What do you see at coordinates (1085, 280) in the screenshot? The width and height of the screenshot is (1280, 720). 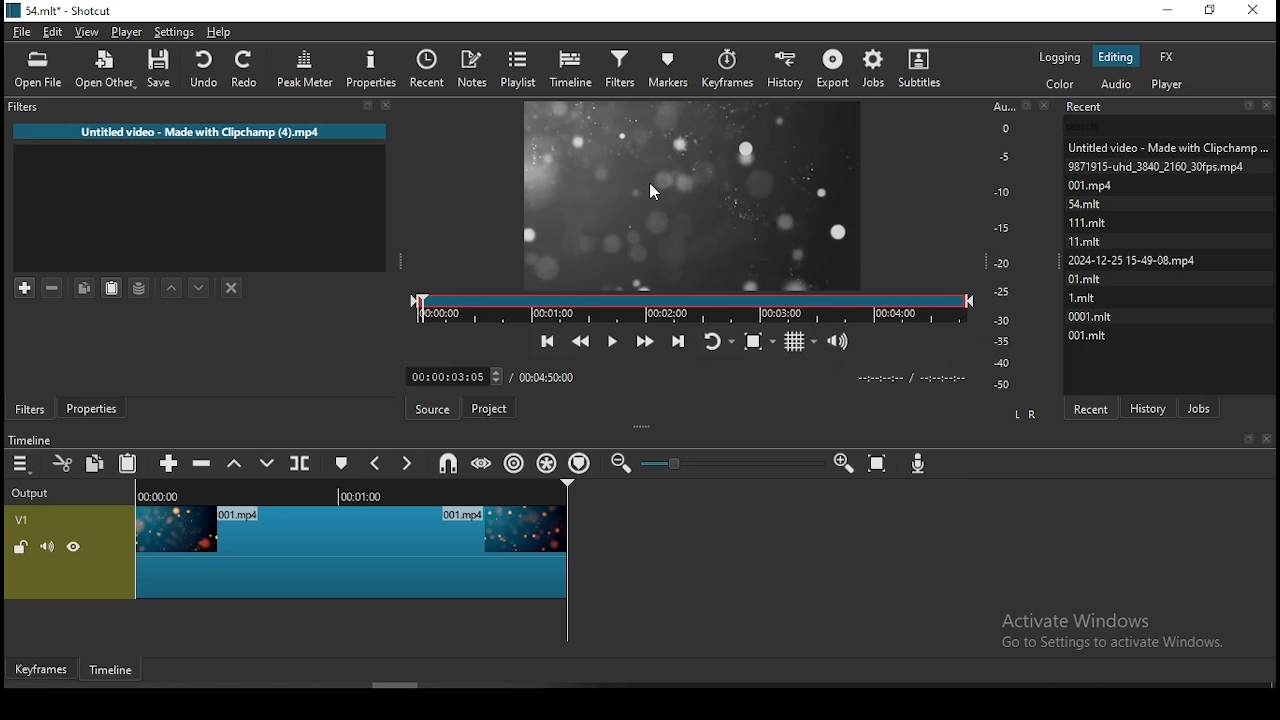 I see `files` at bounding box center [1085, 280].